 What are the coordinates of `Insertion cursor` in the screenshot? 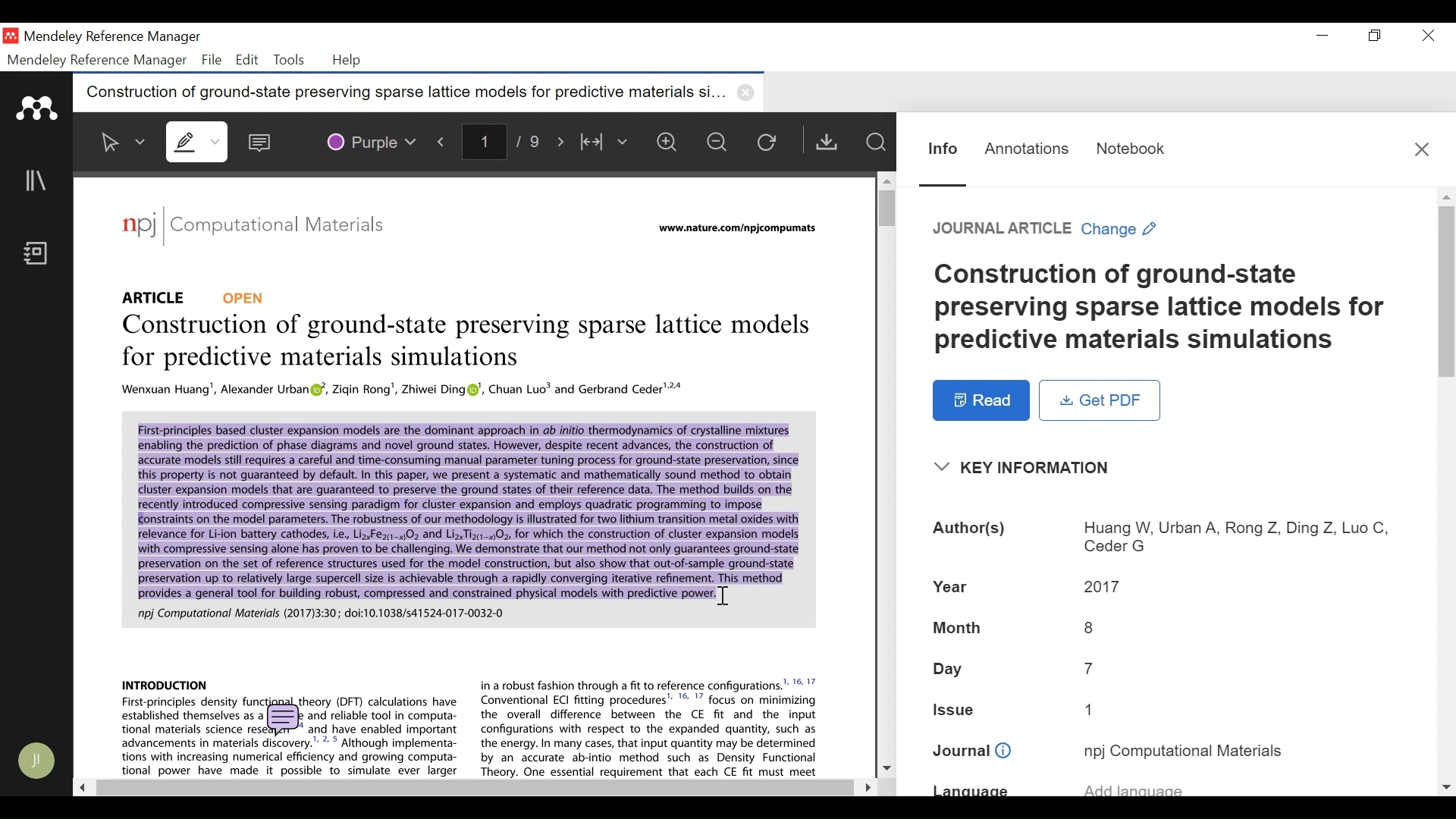 It's located at (724, 598).